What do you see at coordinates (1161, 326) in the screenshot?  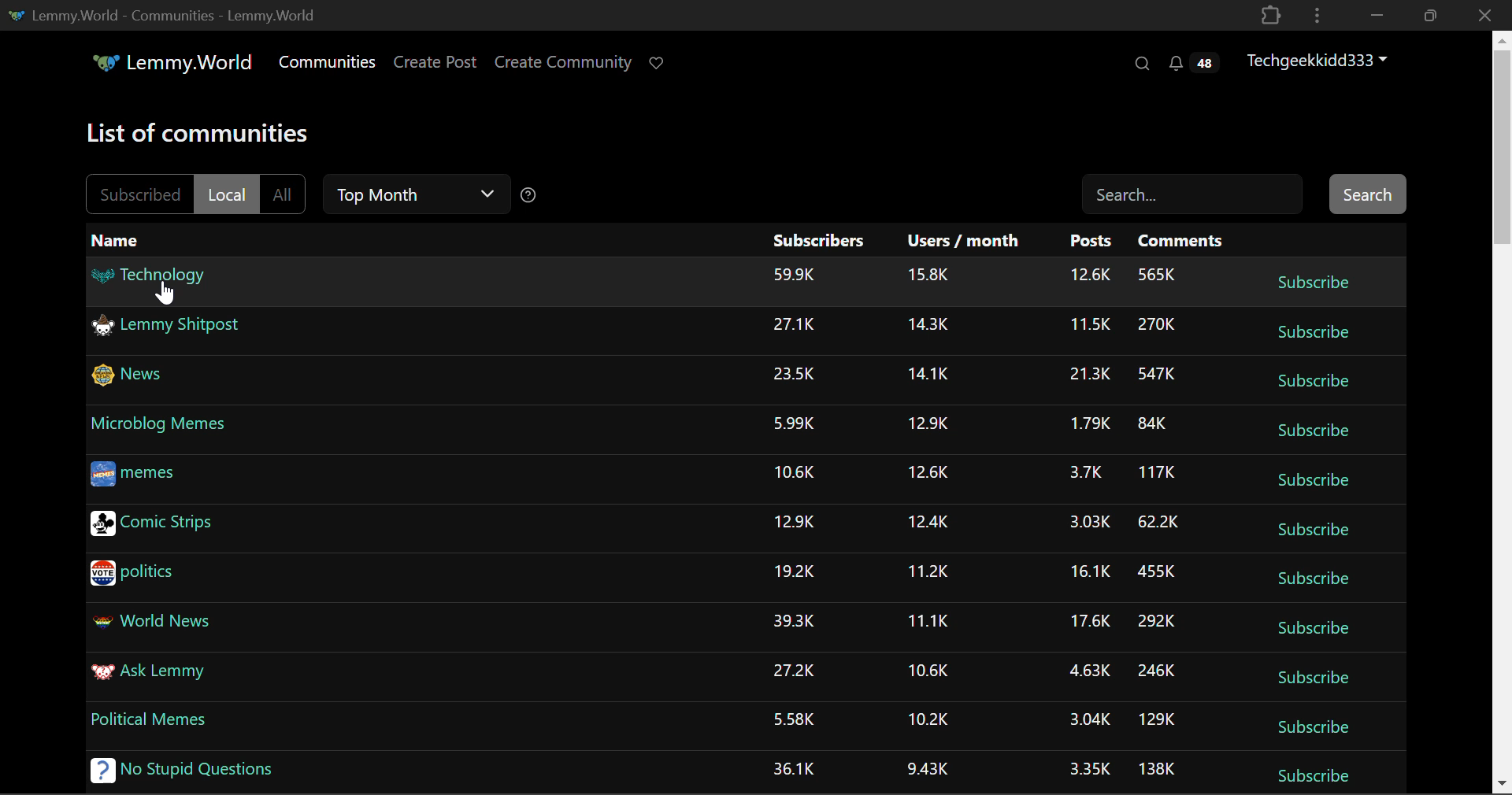 I see `Amount ` at bounding box center [1161, 326].